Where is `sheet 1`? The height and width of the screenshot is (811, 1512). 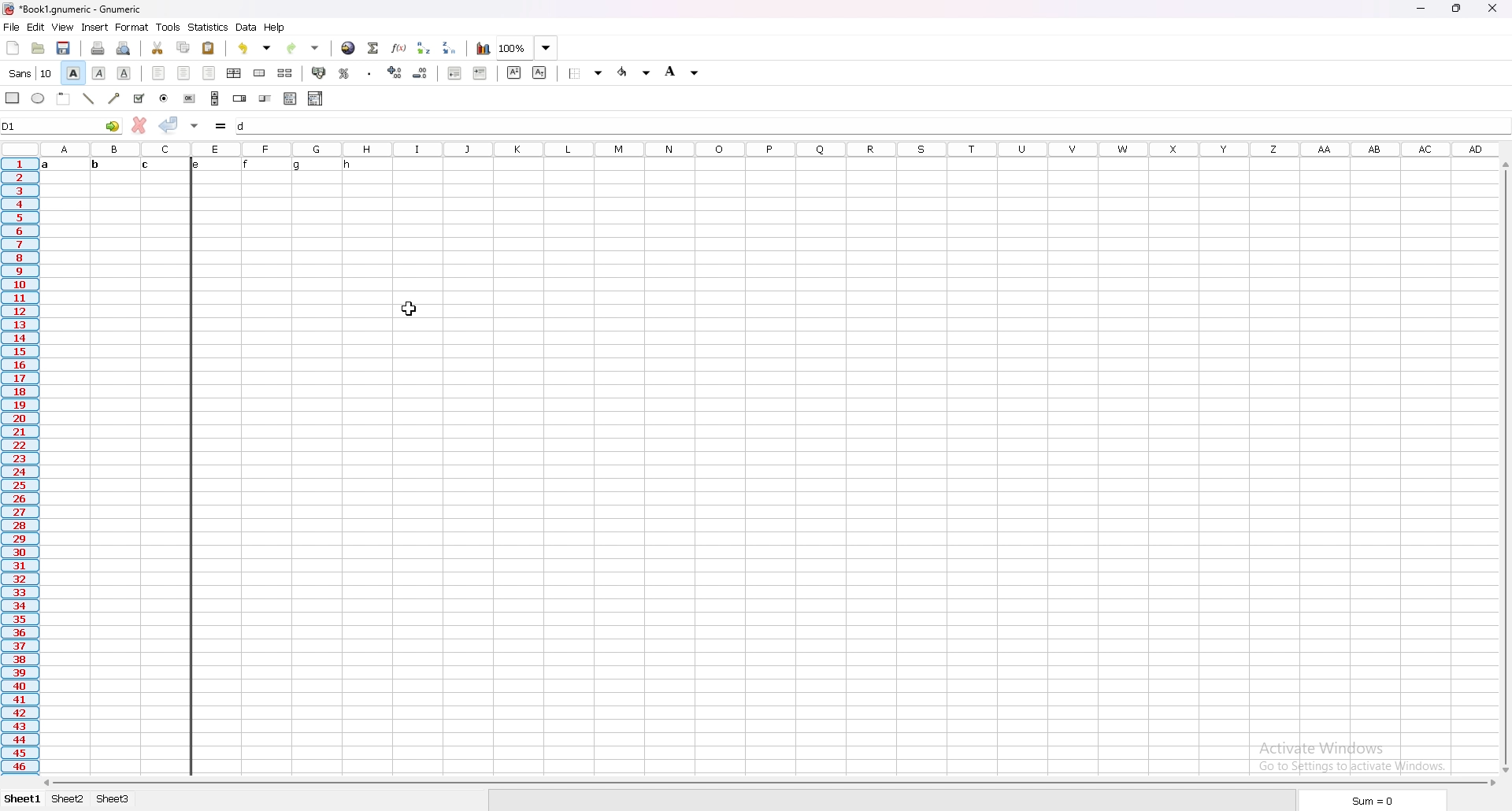 sheet 1 is located at coordinates (23, 800).